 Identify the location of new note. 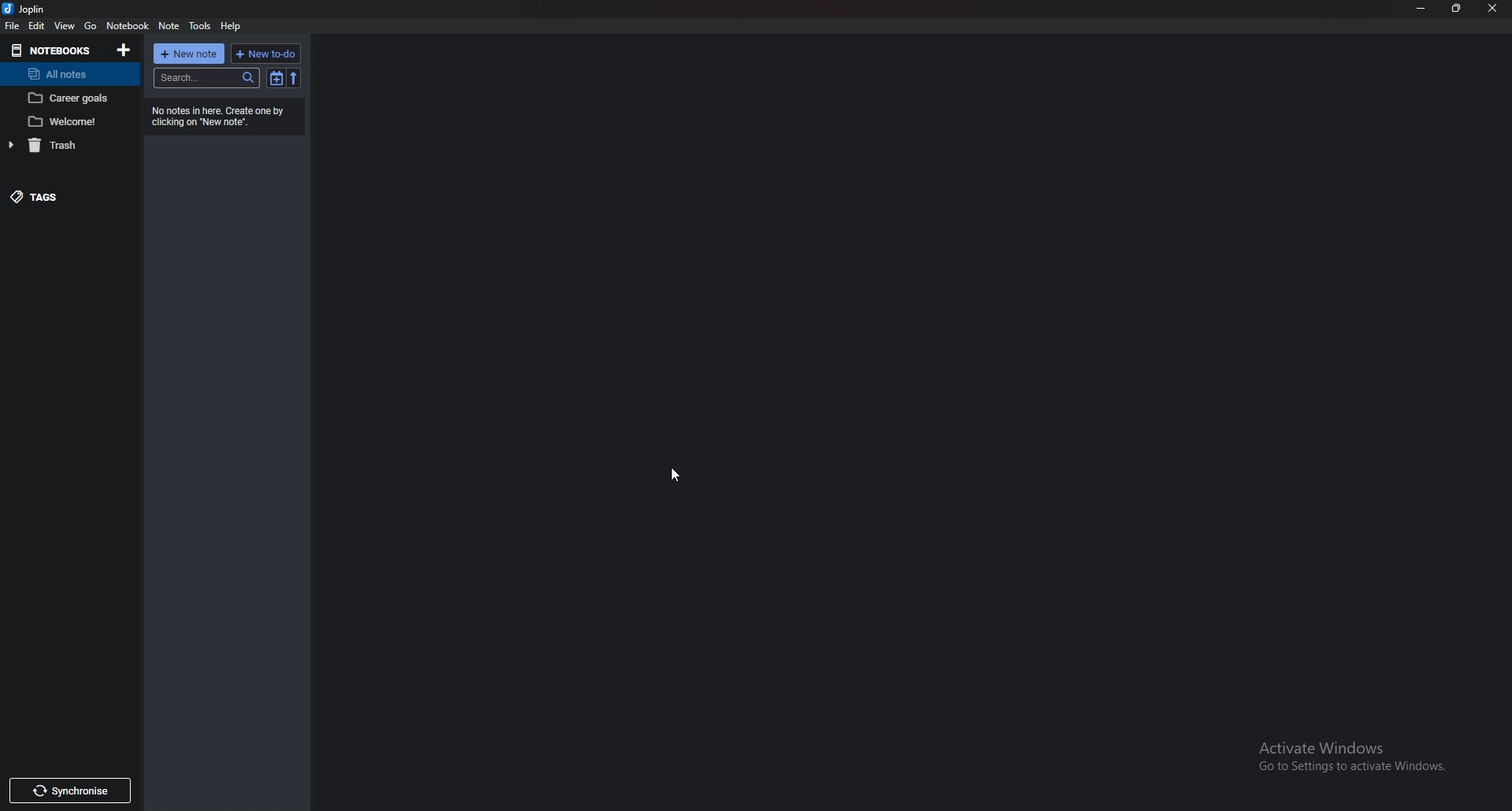
(190, 54).